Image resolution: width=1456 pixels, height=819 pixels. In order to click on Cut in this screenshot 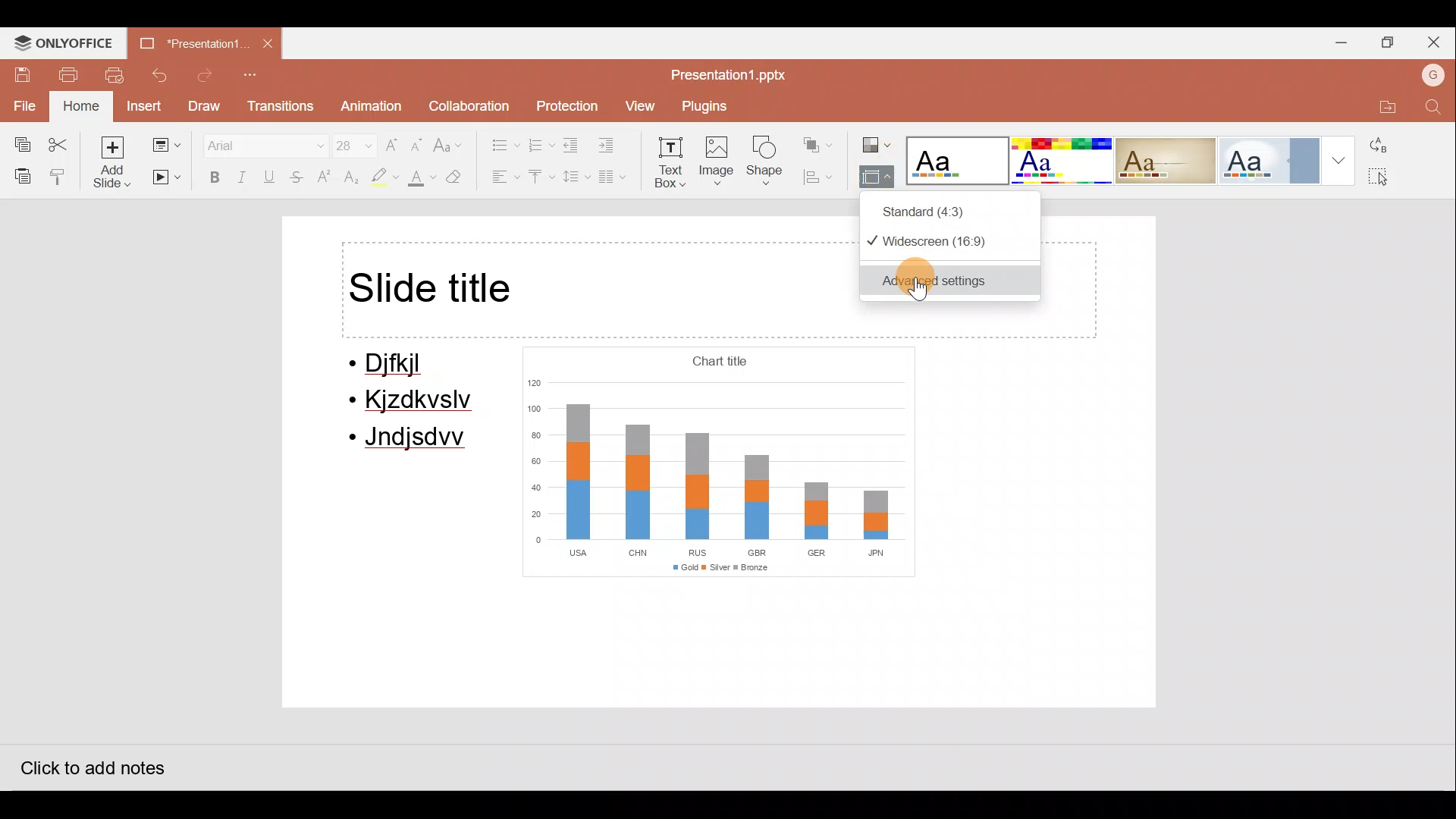, I will do `click(62, 141)`.